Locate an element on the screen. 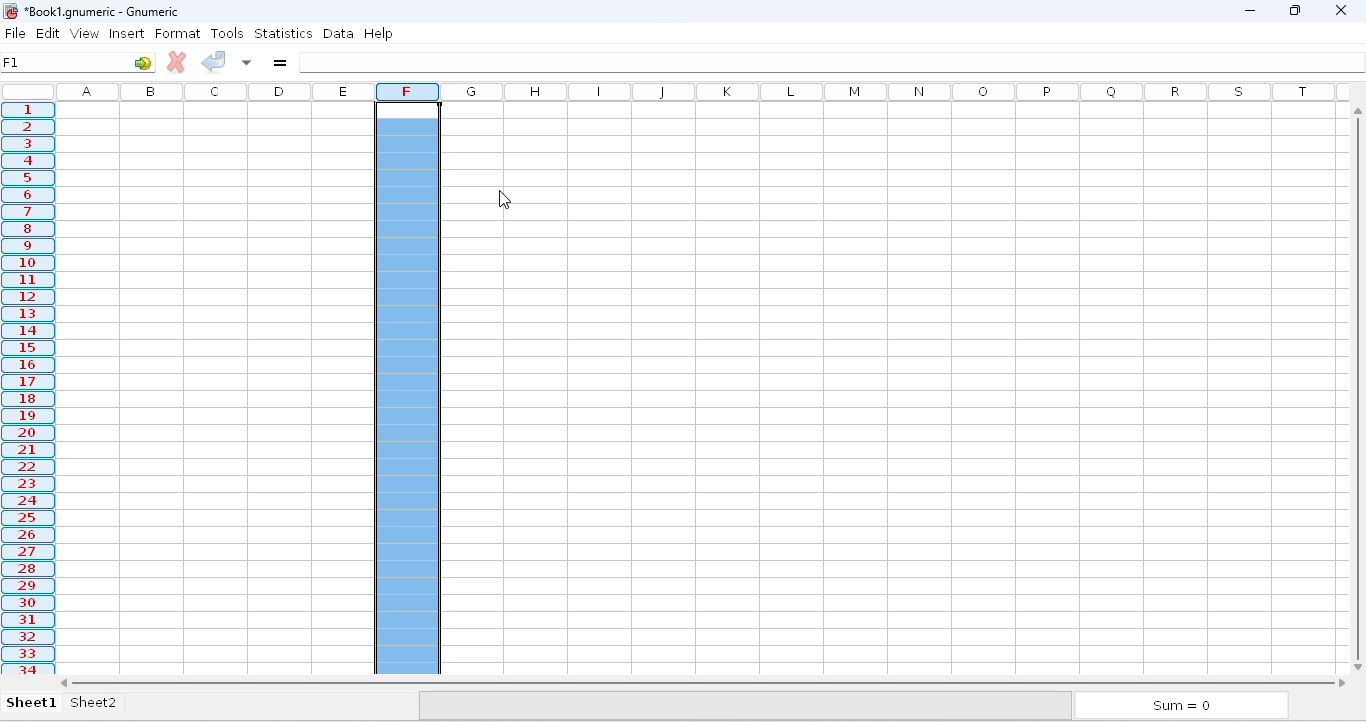 The width and height of the screenshot is (1366, 722). accept changes to multiple cells is located at coordinates (246, 62).